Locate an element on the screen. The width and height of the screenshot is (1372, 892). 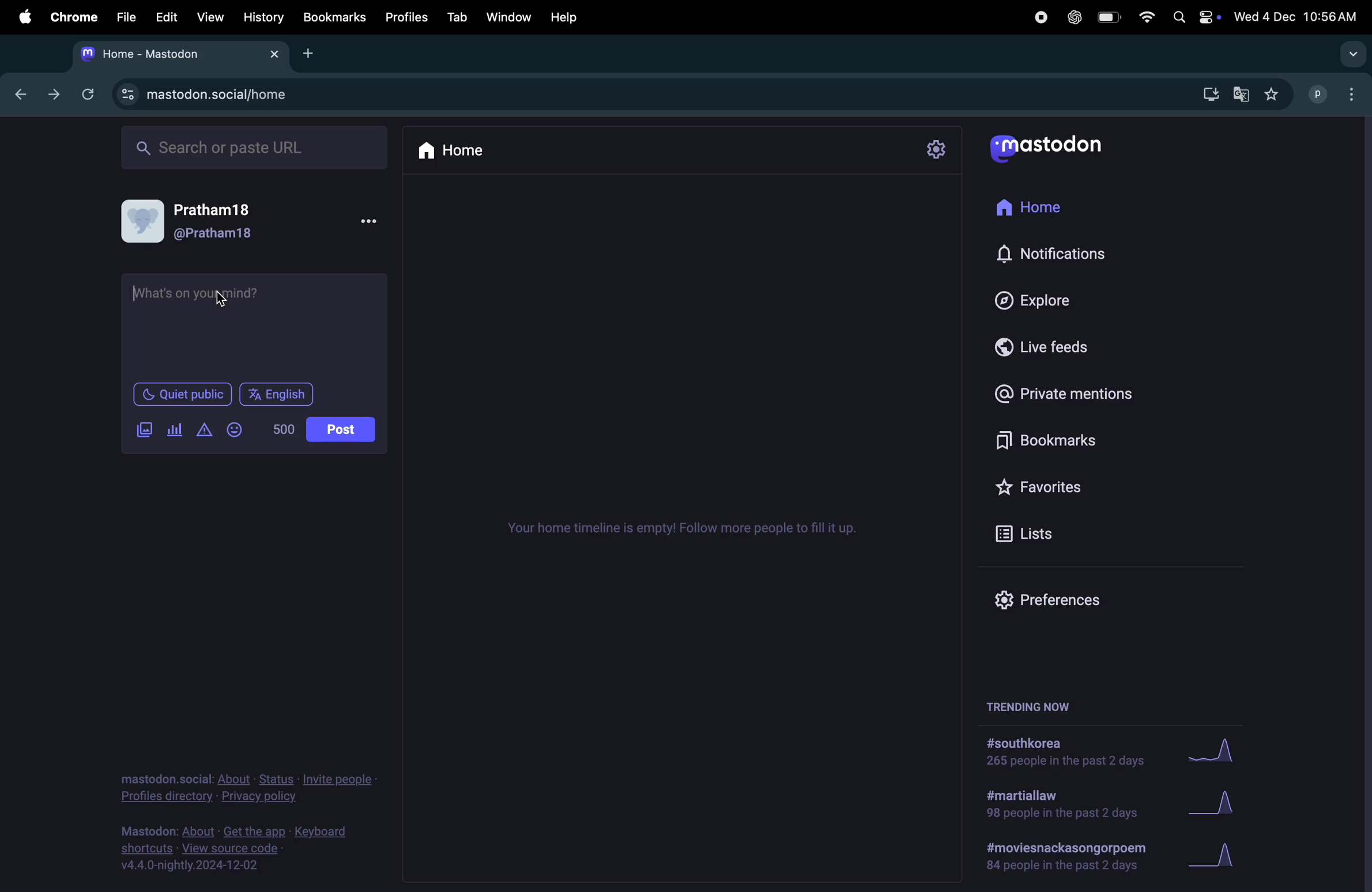
Privacy and policy is located at coordinates (258, 788).